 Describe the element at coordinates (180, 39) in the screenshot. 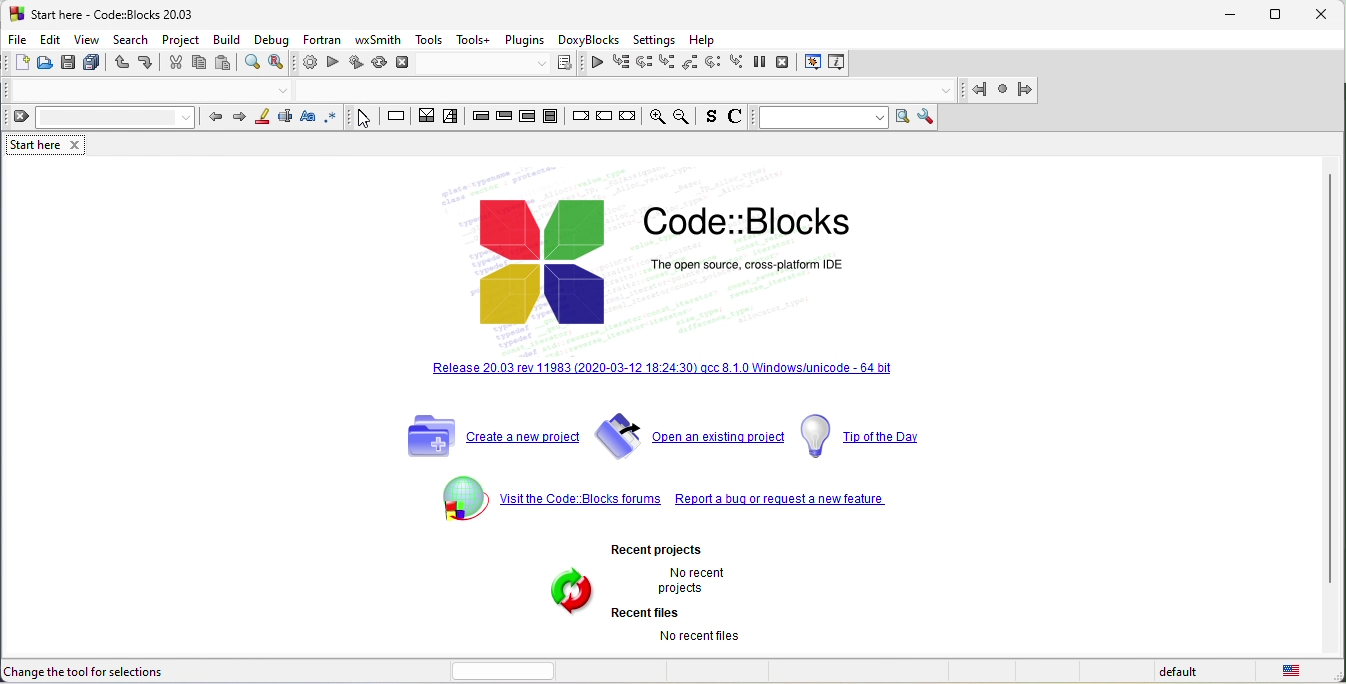

I see `project` at that location.